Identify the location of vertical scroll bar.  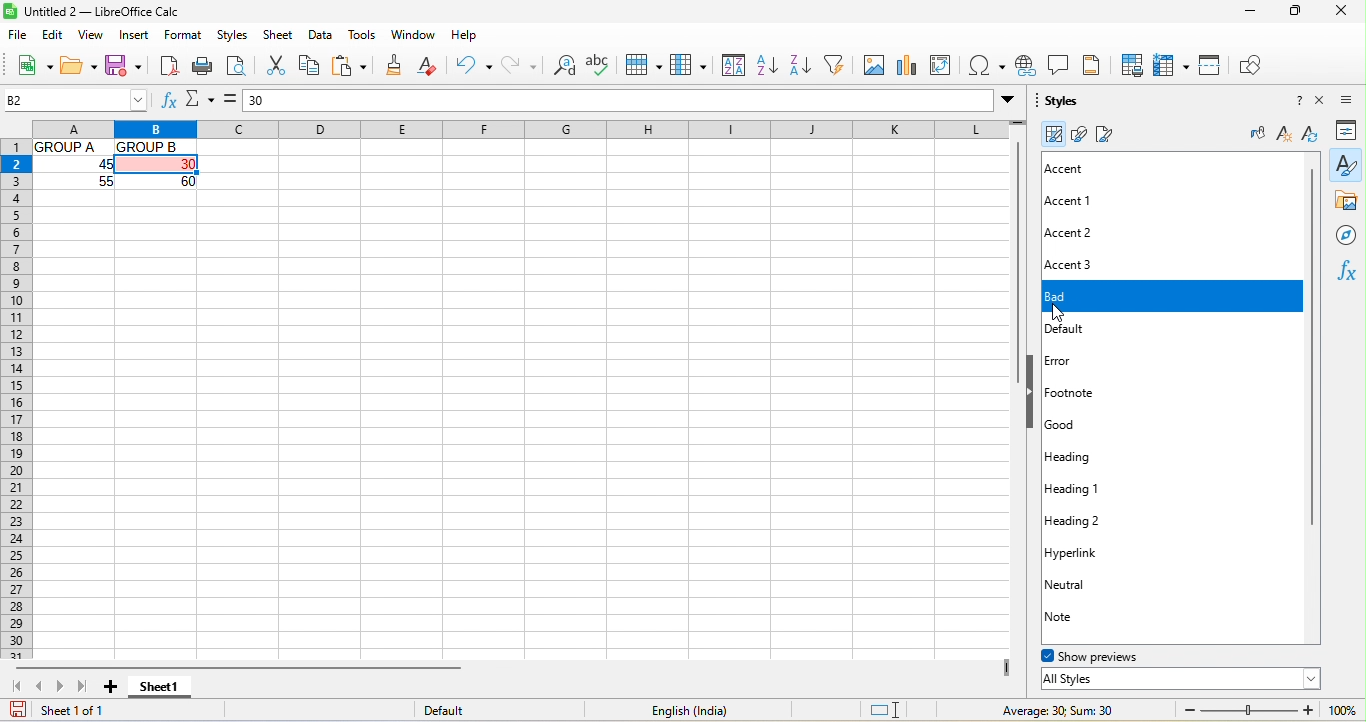
(1015, 270).